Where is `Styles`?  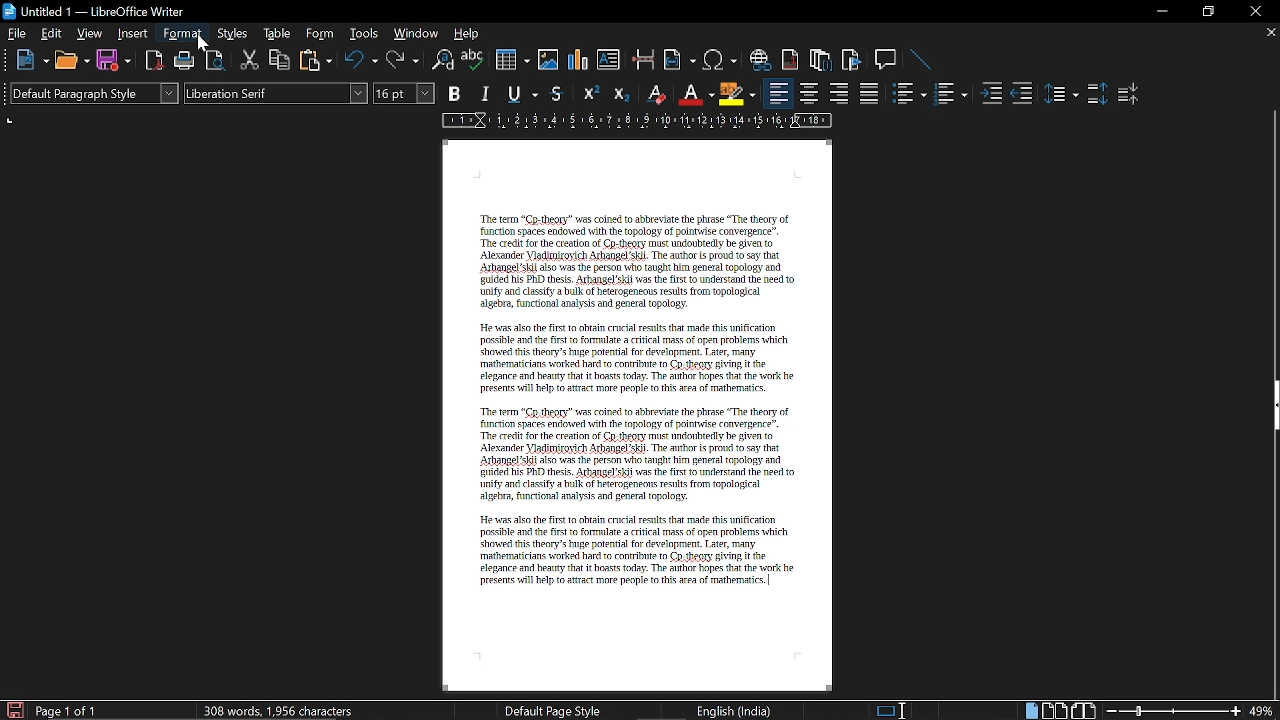
Styles is located at coordinates (234, 34).